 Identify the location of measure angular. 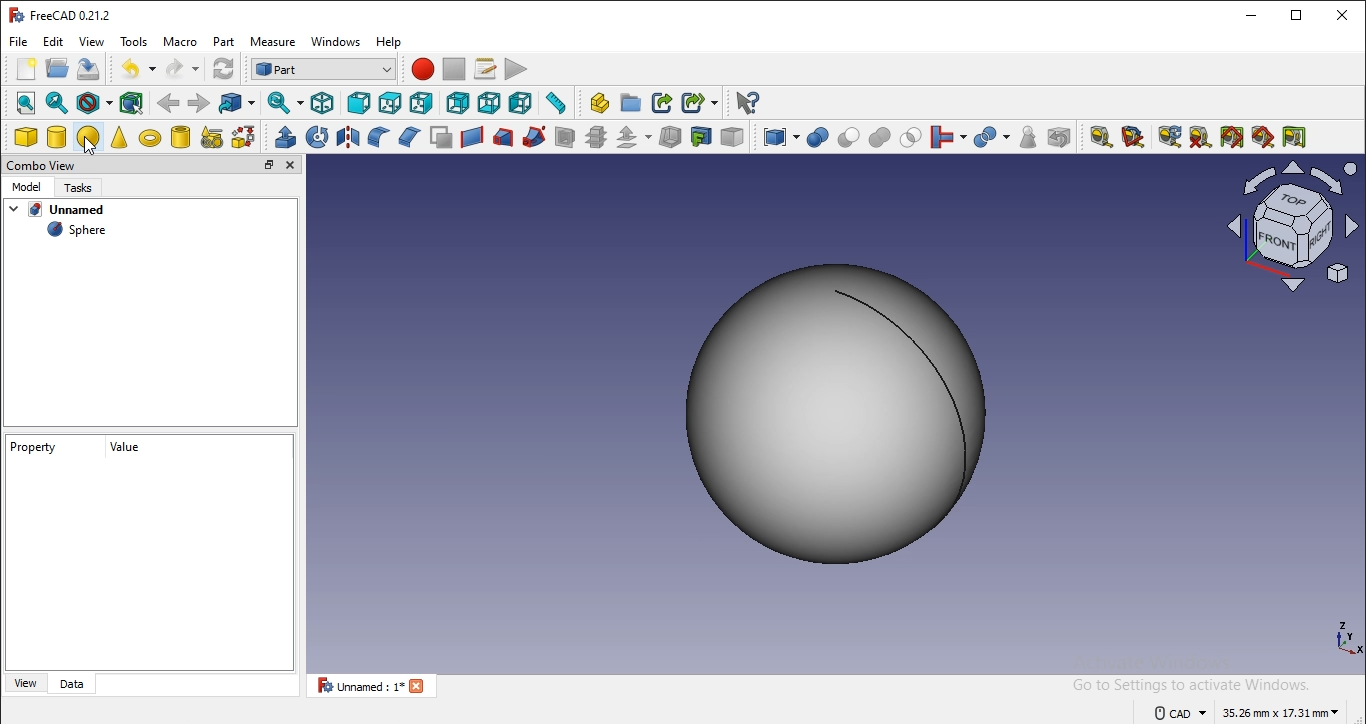
(1133, 137).